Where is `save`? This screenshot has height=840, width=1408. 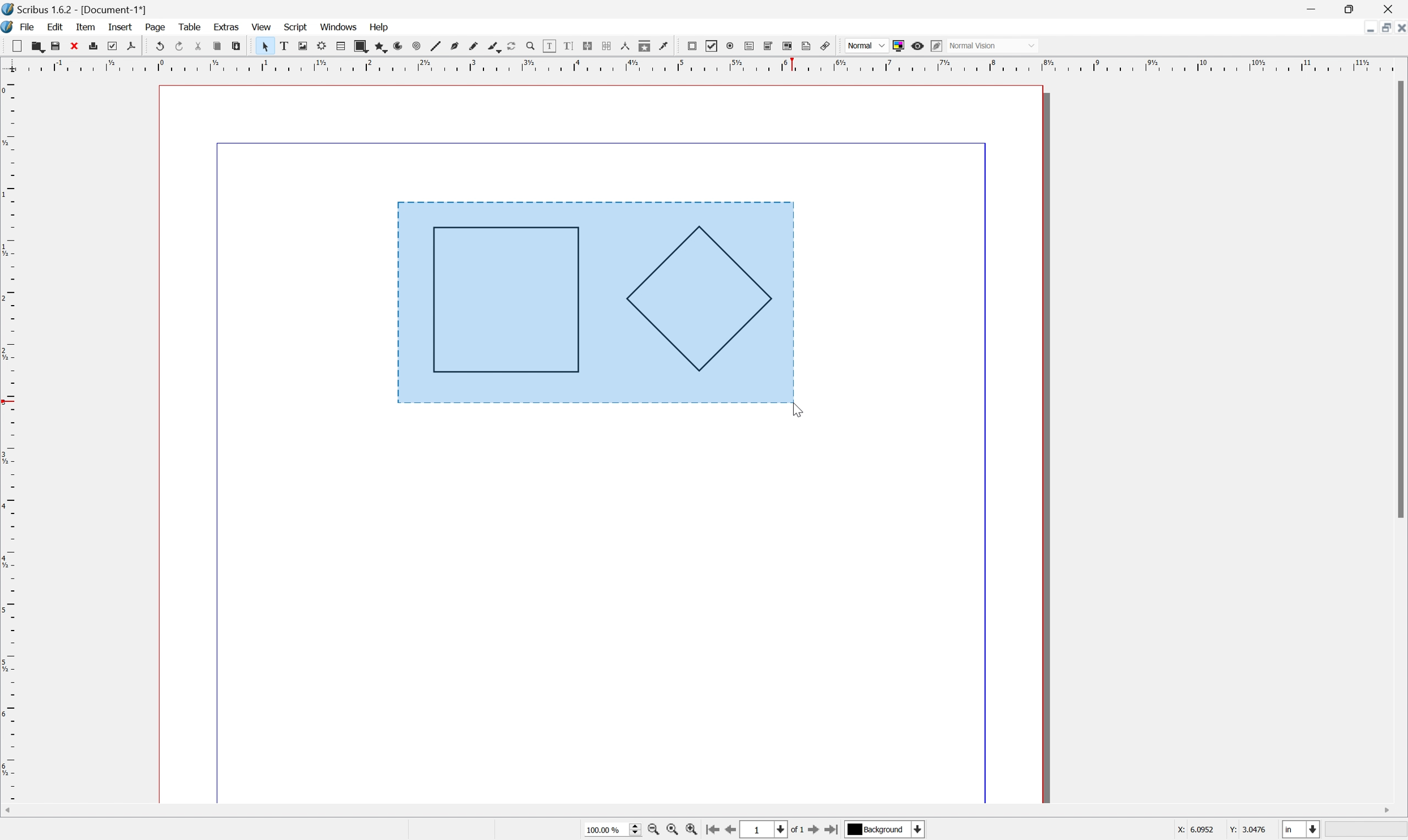 save is located at coordinates (52, 44).